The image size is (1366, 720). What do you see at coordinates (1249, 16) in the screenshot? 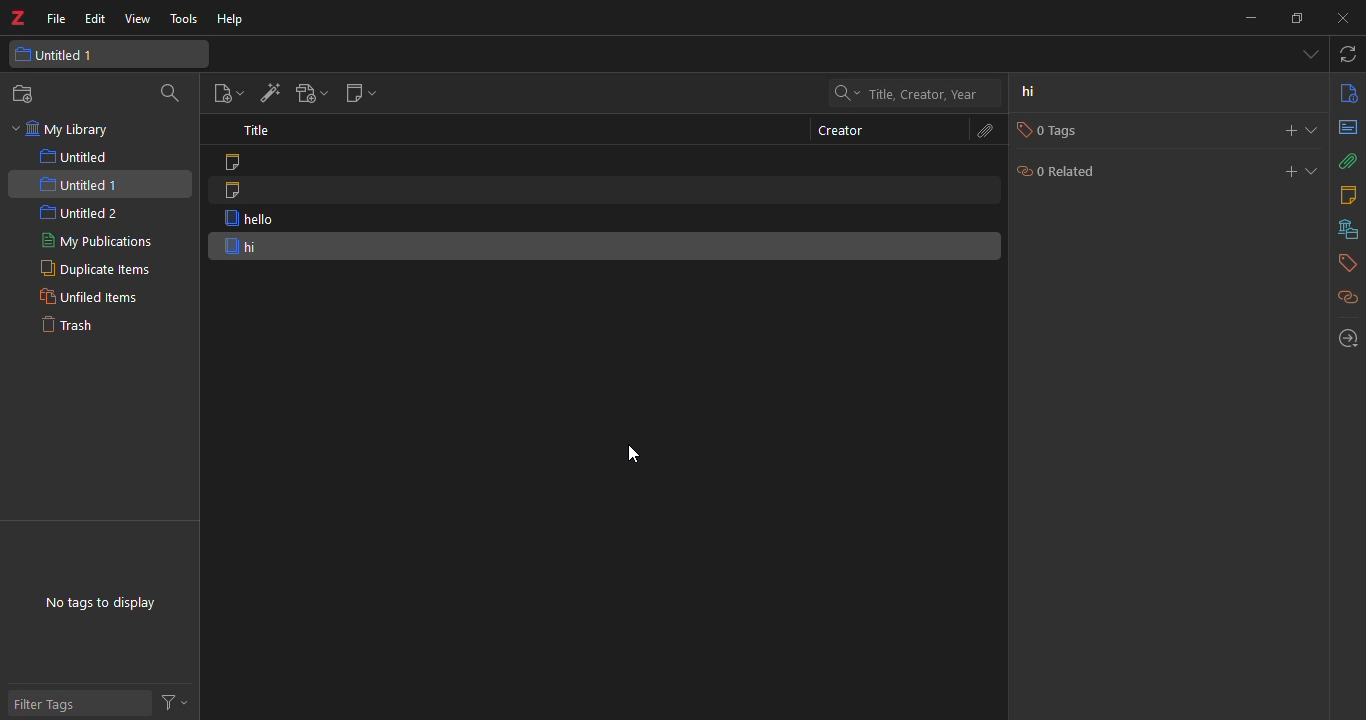
I see `minimize` at bounding box center [1249, 16].